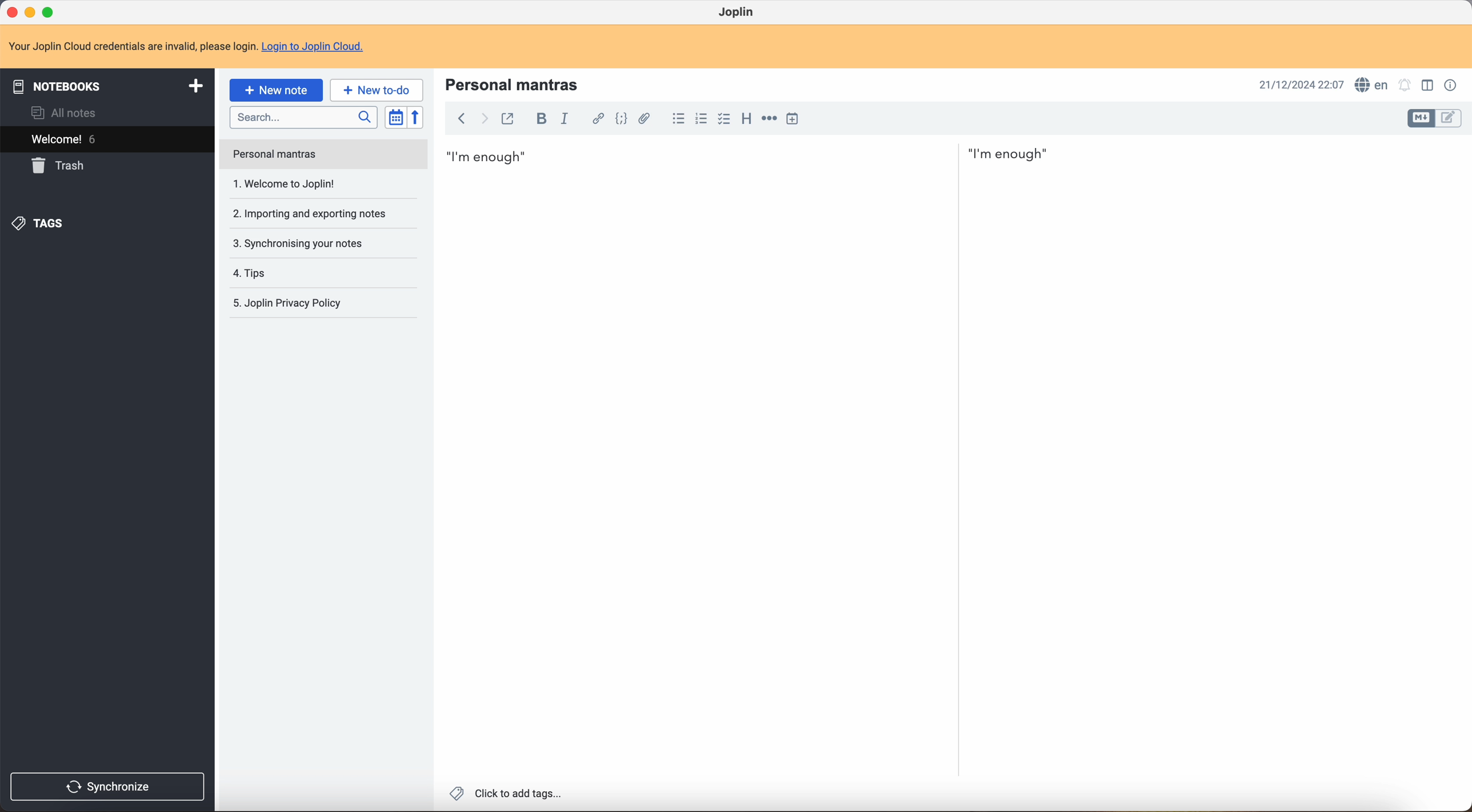 The image size is (1472, 812). What do you see at coordinates (41, 225) in the screenshot?
I see `tags` at bounding box center [41, 225].